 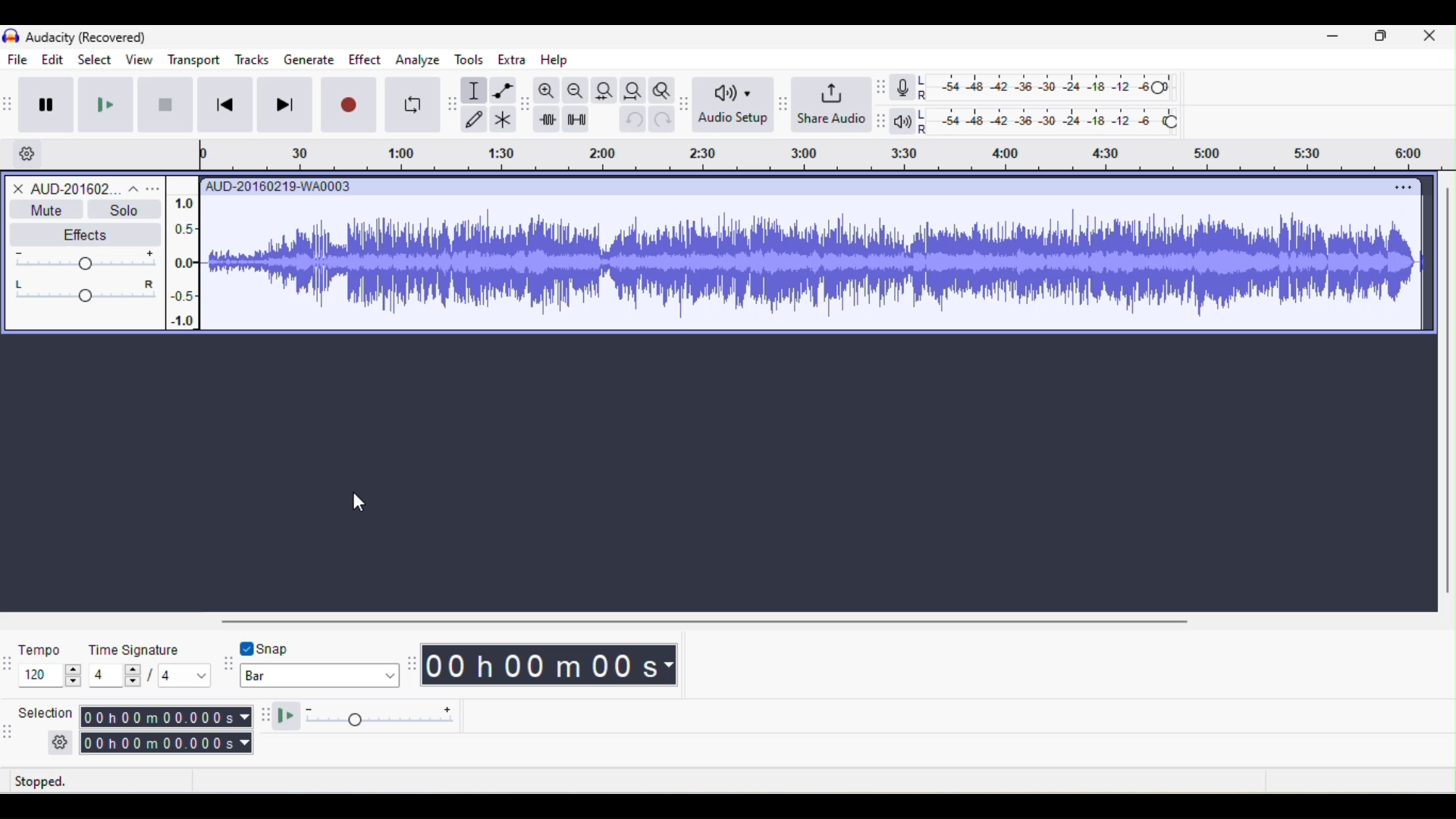 What do you see at coordinates (907, 120) in the screenshot?
I see `playback meter` at bounding box center [907, 120].